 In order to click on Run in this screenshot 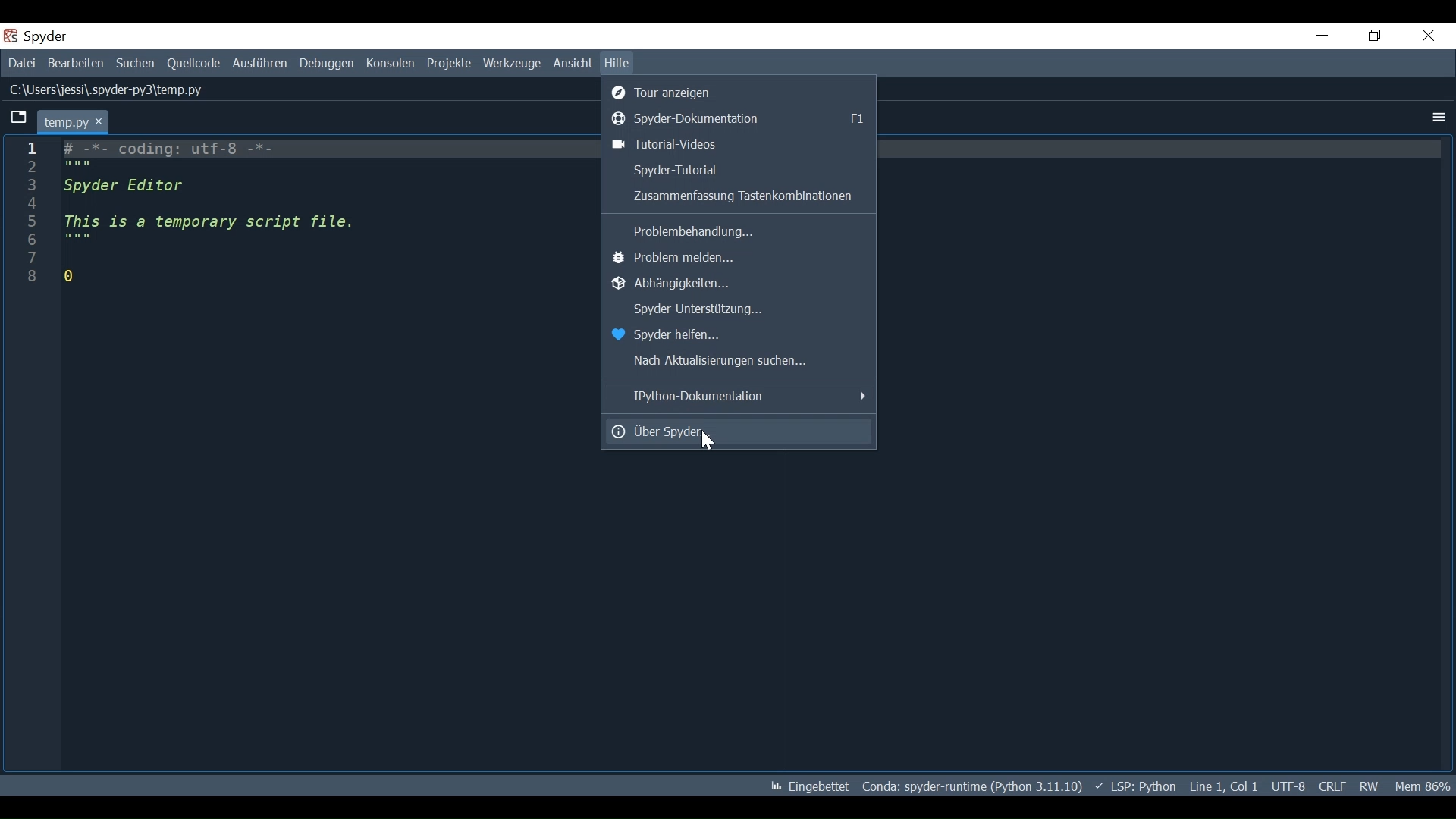, I will do `click(259, 64)`.